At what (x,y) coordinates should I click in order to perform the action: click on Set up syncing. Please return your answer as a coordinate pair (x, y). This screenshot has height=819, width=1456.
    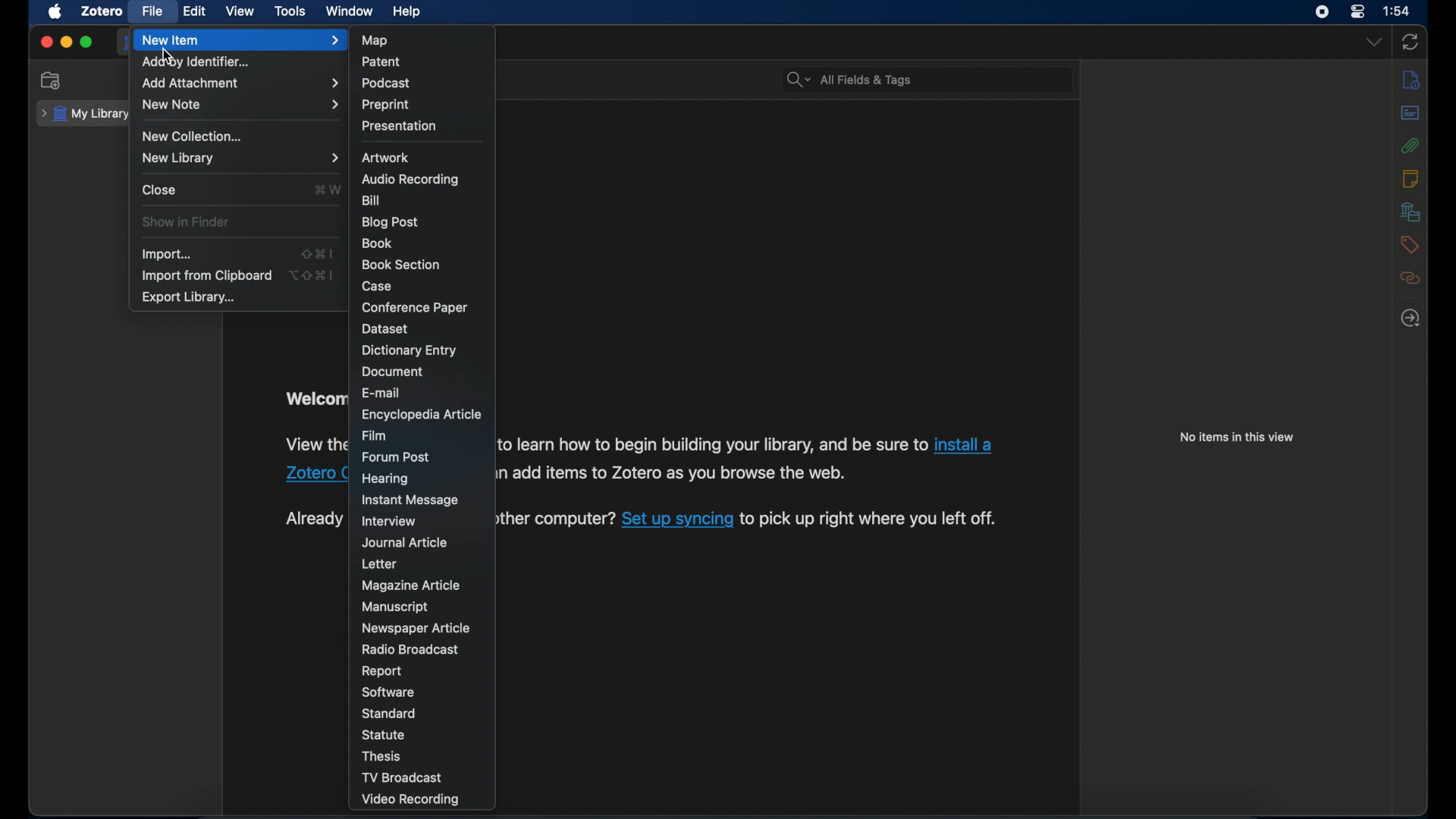
    Looking at the image, I should click on (677, 519).